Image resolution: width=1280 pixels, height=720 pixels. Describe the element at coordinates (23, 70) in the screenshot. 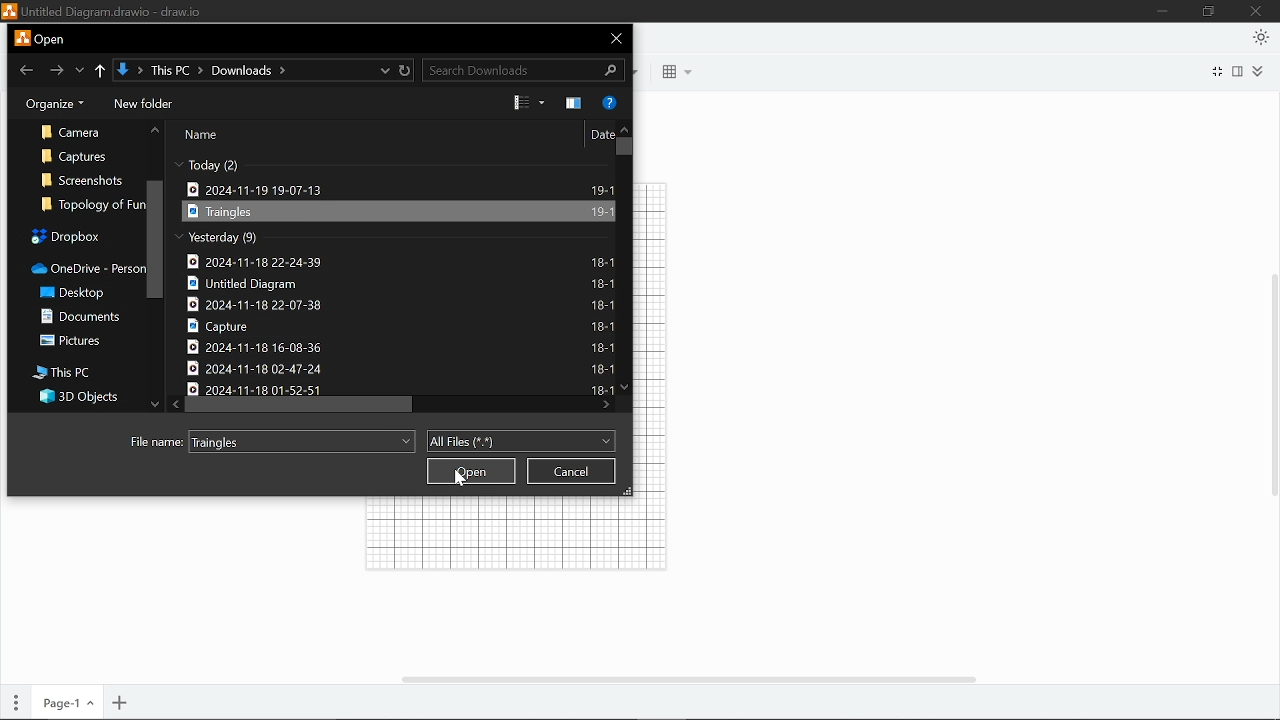

I see `back` at that location.